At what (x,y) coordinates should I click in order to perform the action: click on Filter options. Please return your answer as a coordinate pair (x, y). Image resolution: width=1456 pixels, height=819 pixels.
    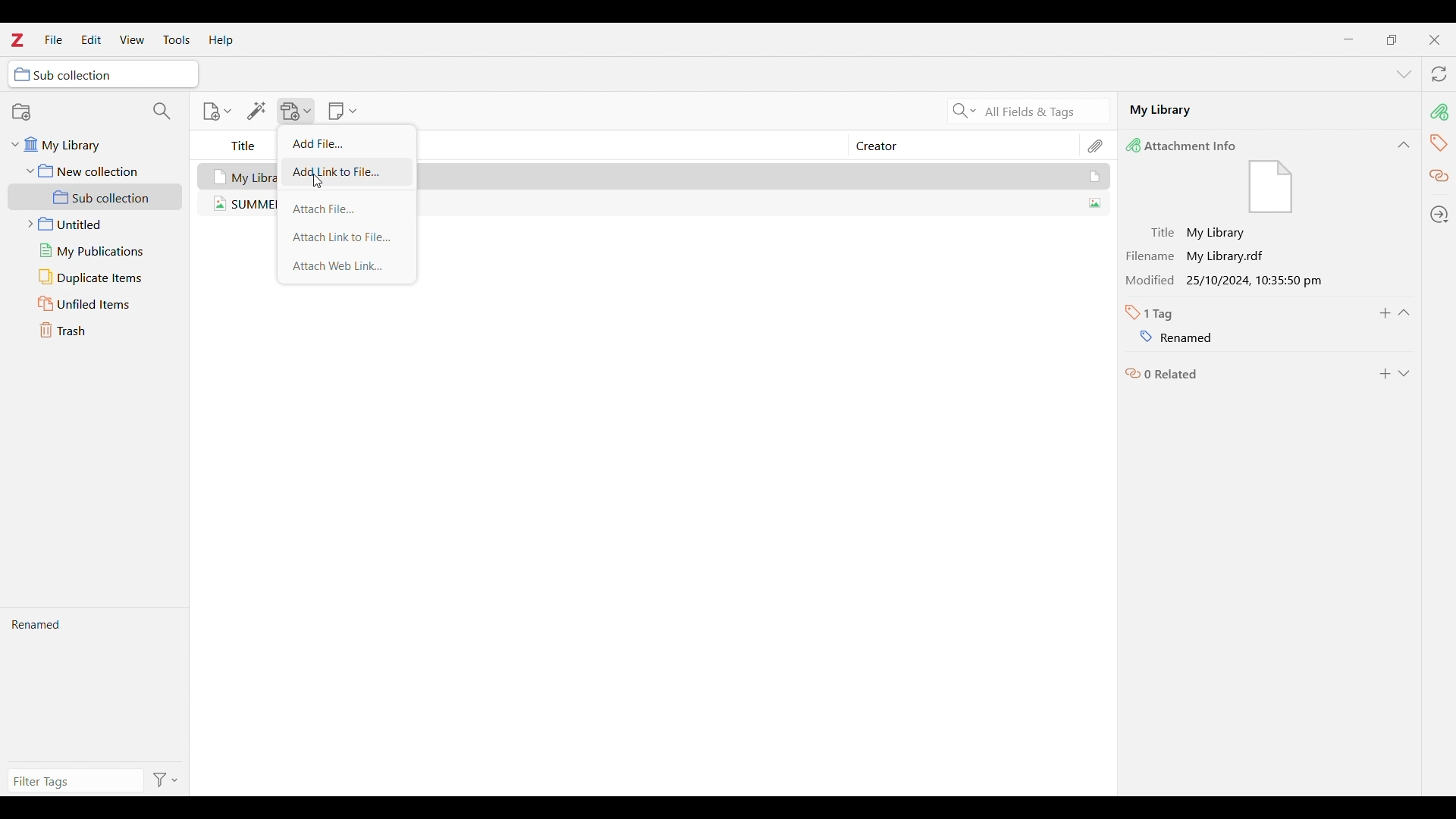
    Looking at the image, I should click on (166, 779).